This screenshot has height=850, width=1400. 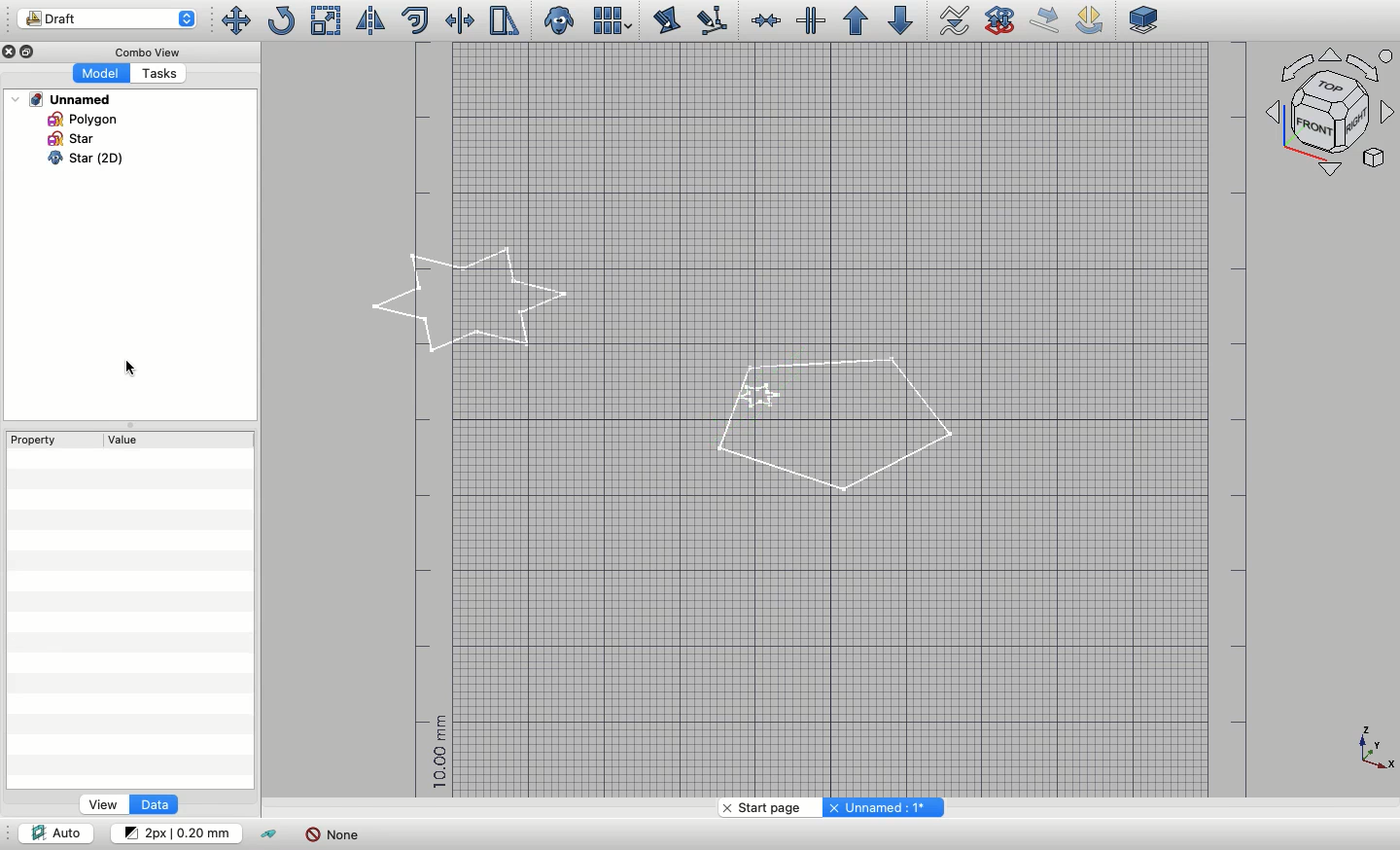 I want to click on Rotate, so click(x=280, y=20).